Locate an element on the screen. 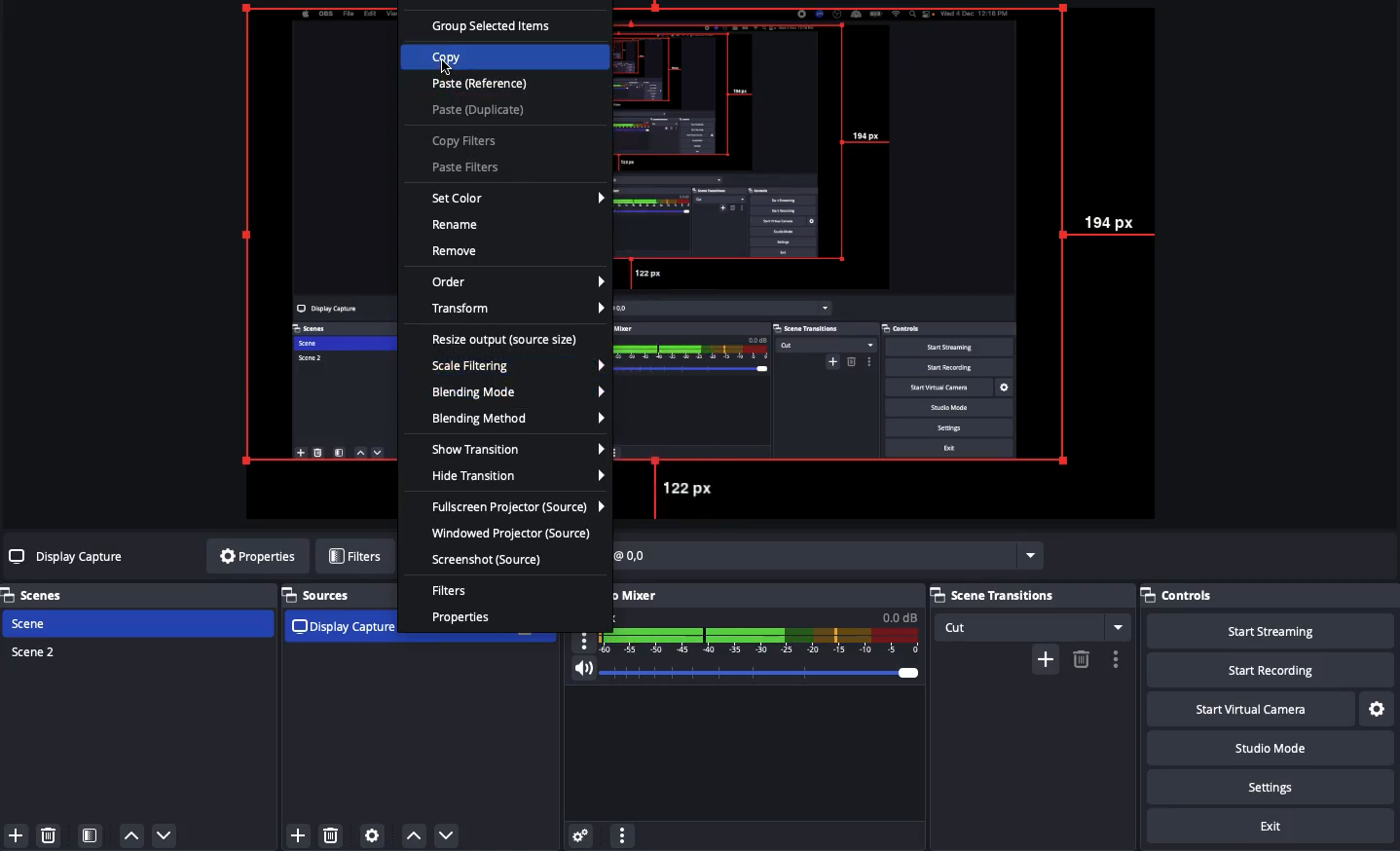  Filter is located at coordinates (454, 592).